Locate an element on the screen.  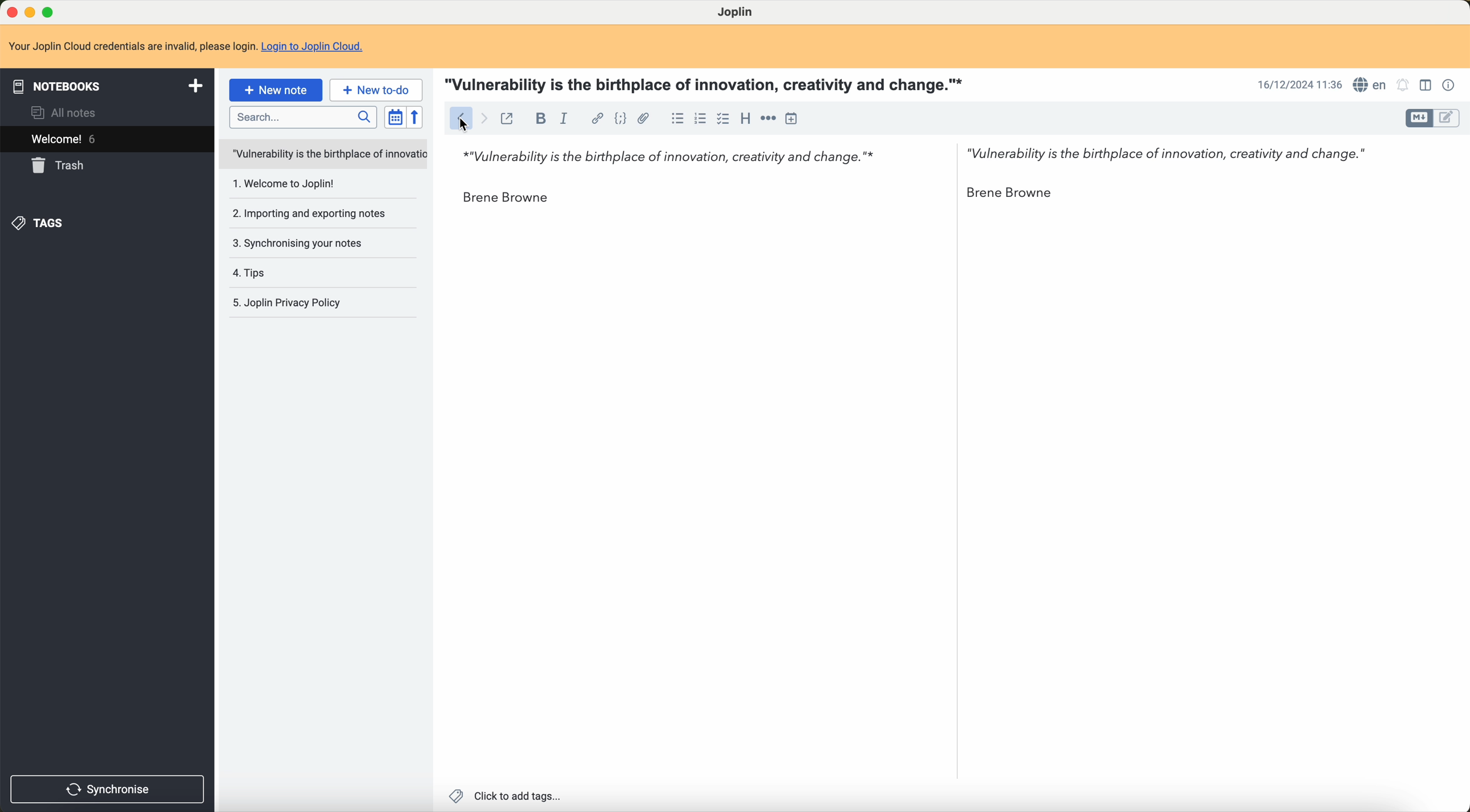
all notes is located at coordinates (68, 112).